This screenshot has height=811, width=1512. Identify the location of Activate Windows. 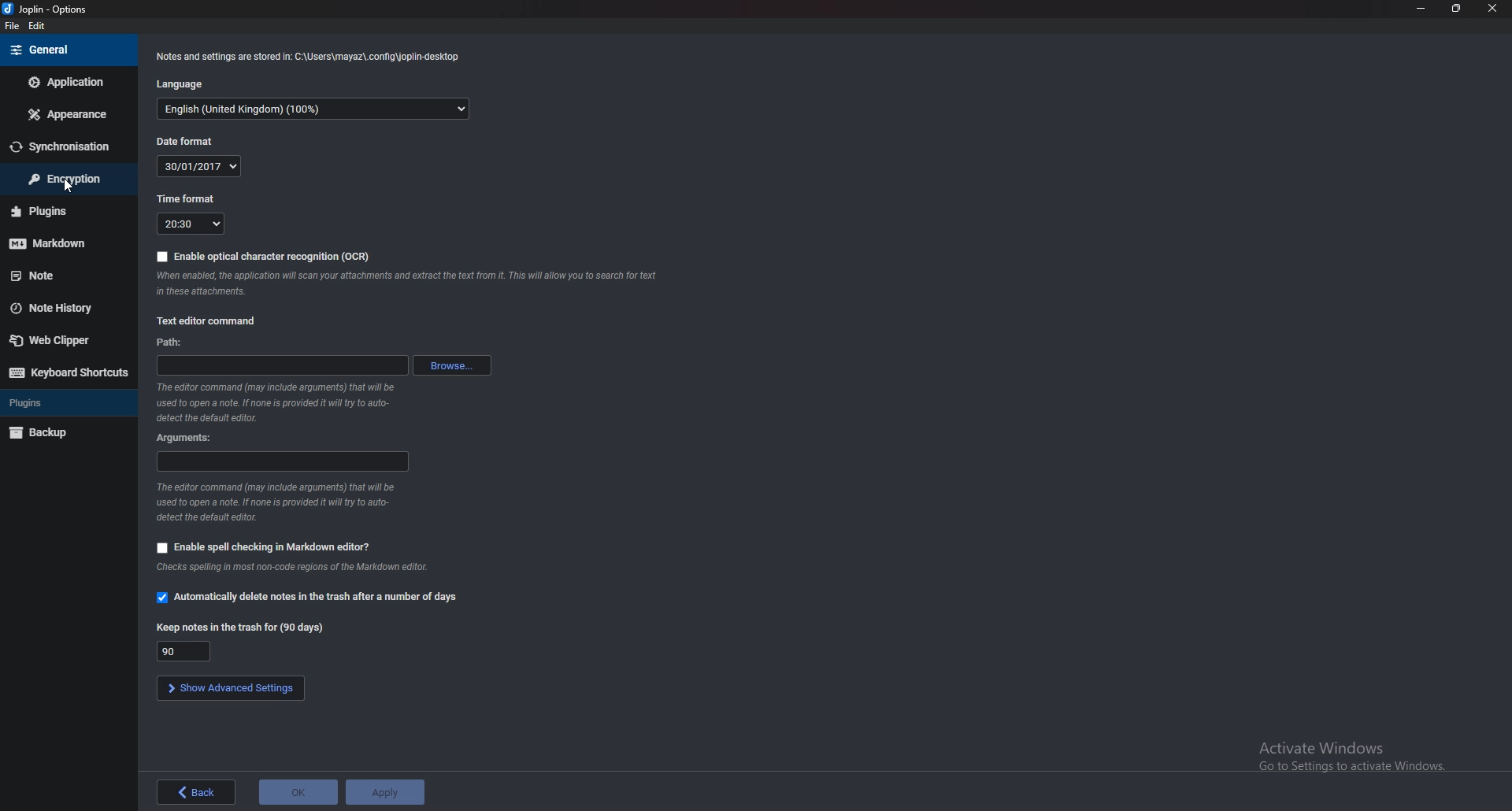
(1348, 754).